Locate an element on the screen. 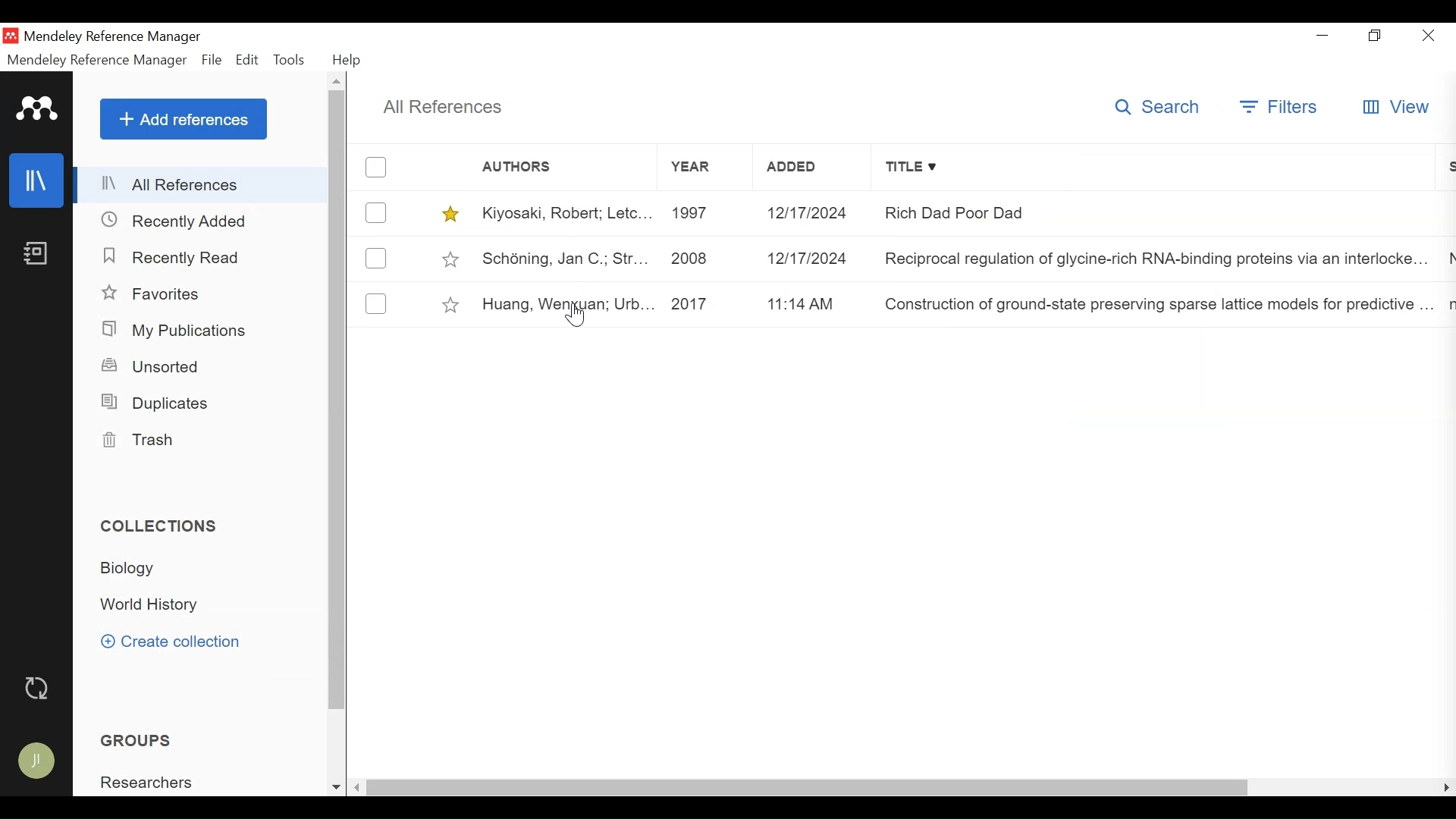 This screenshot has width=1456, height=819. Mendeley Reference Manager is located at coordinates (97, 60).